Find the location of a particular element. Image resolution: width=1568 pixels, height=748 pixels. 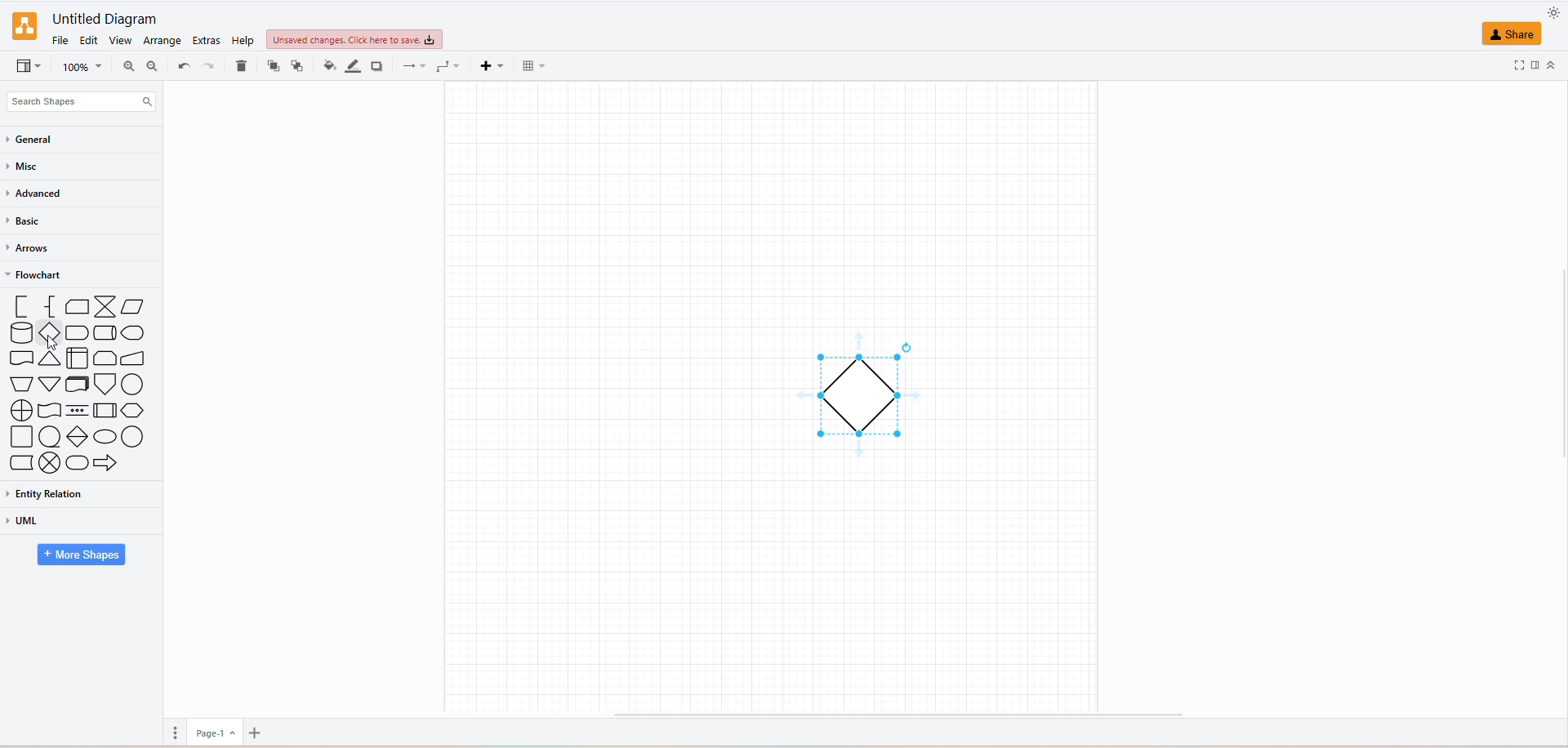

FILE NAME is located at coordinates (101, 16).